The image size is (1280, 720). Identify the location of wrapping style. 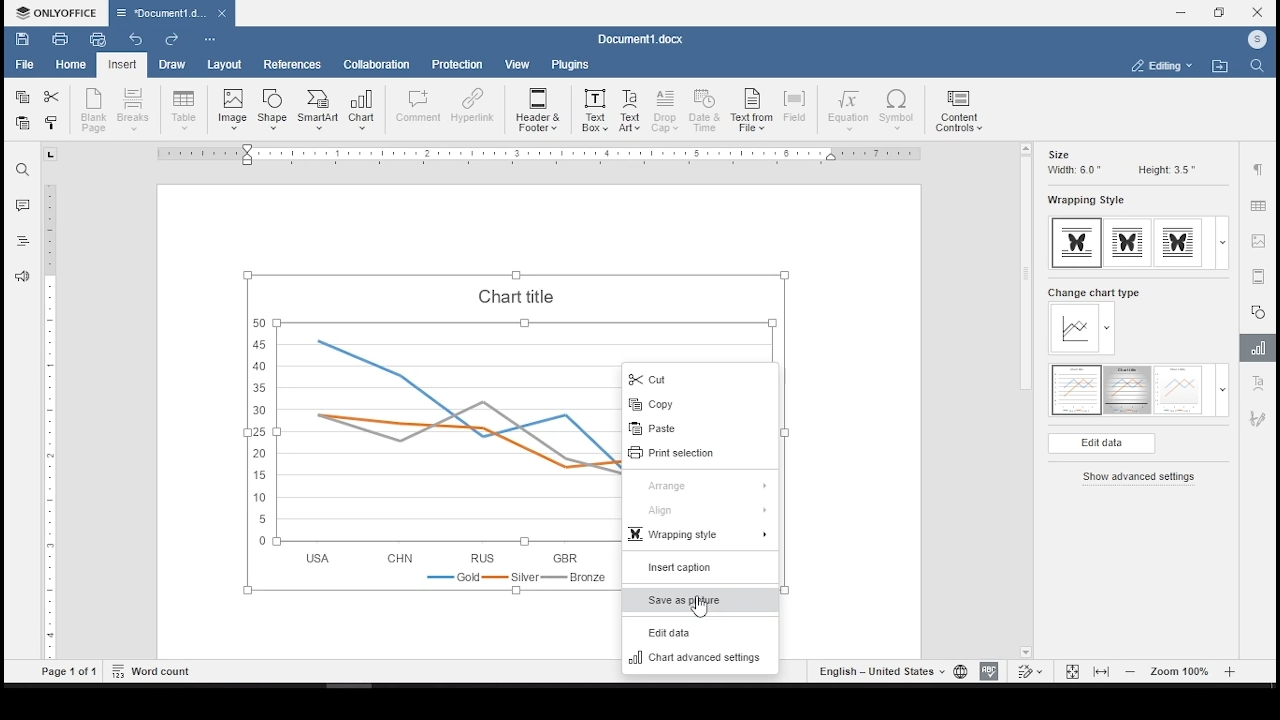
(1078, 243).